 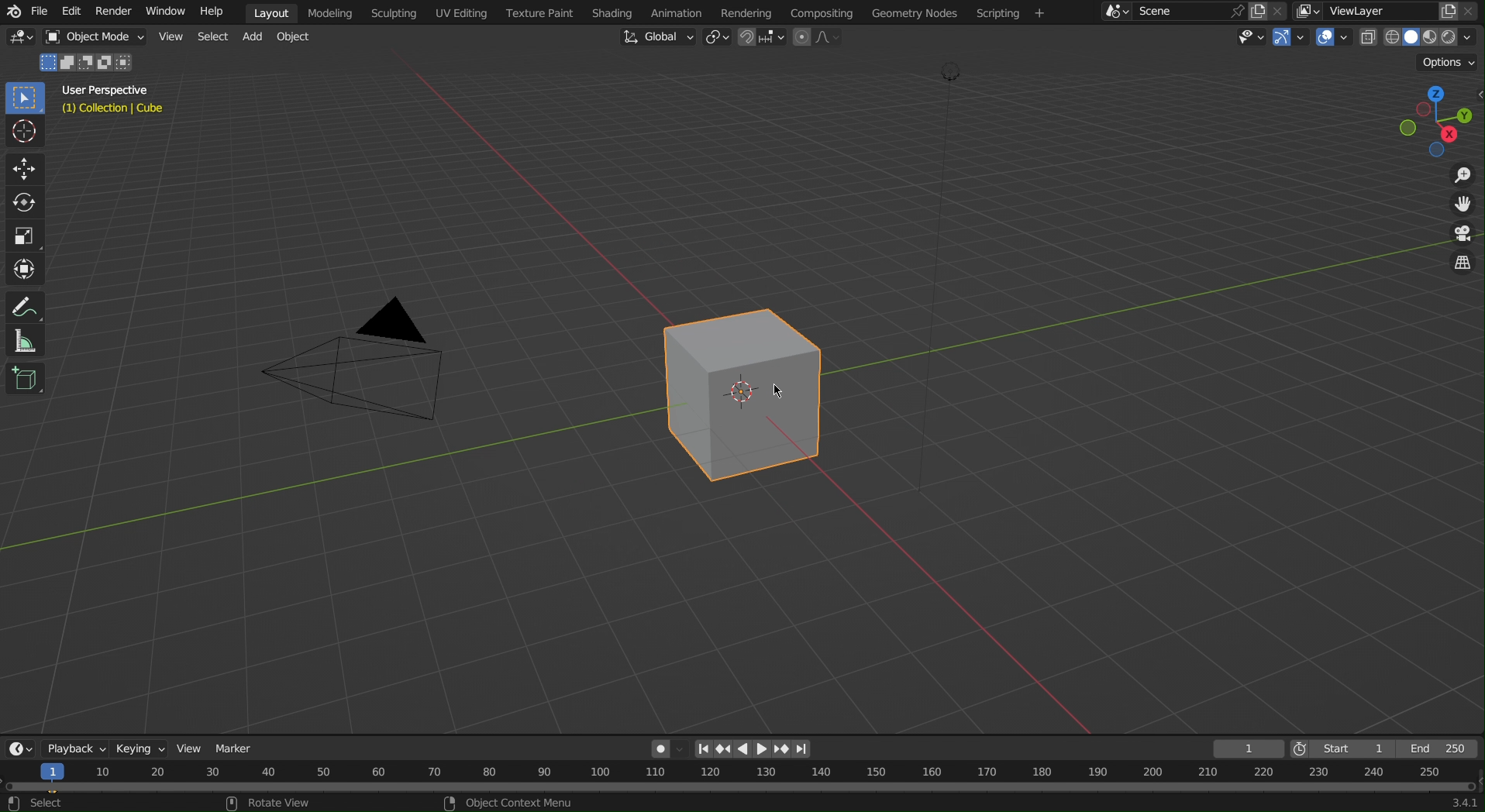 What do you see at coordinates (763, 749) in the screenshot?
I see `right` at bounding box center [763, 749].